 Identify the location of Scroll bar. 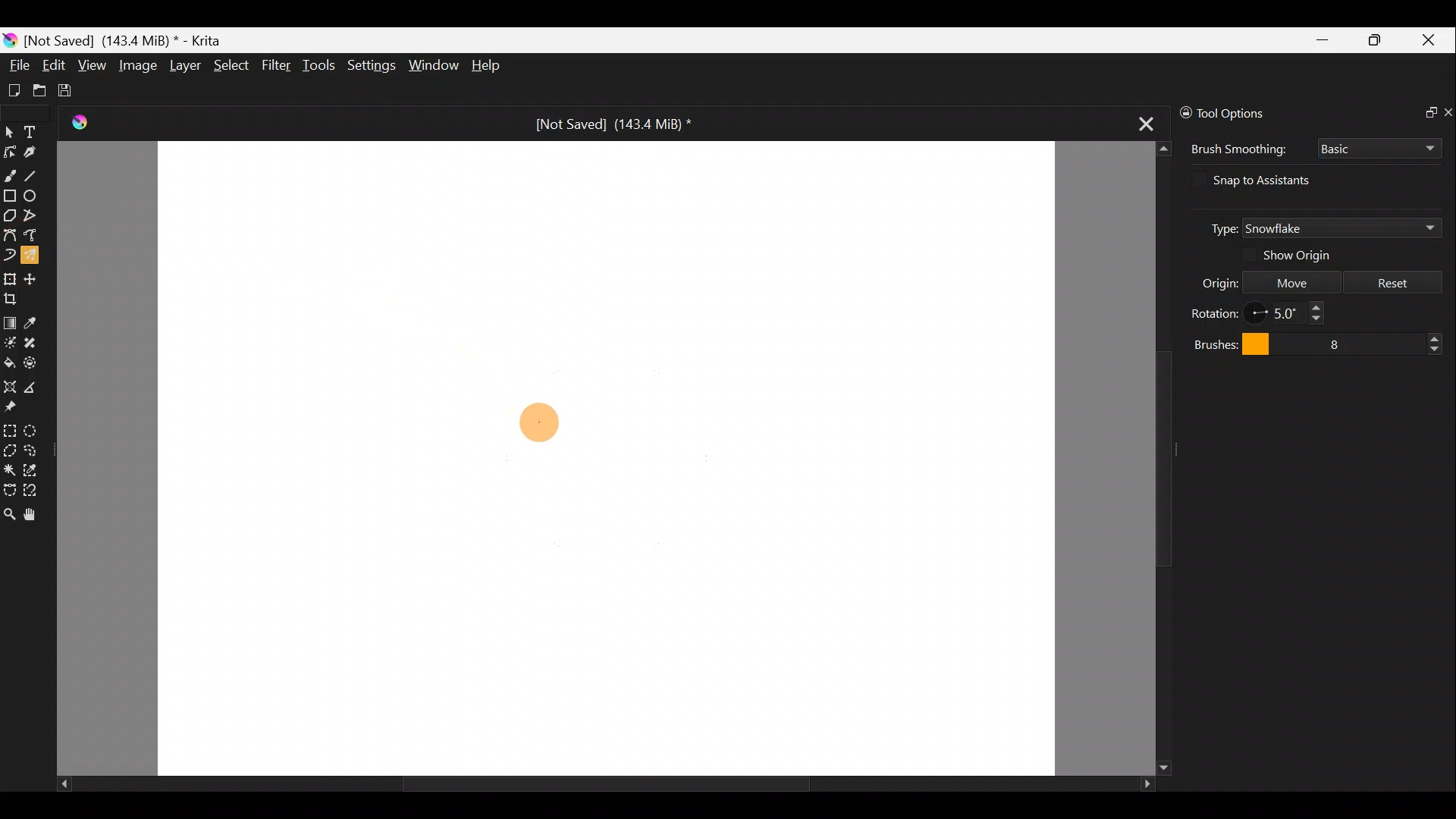
(581, 783).